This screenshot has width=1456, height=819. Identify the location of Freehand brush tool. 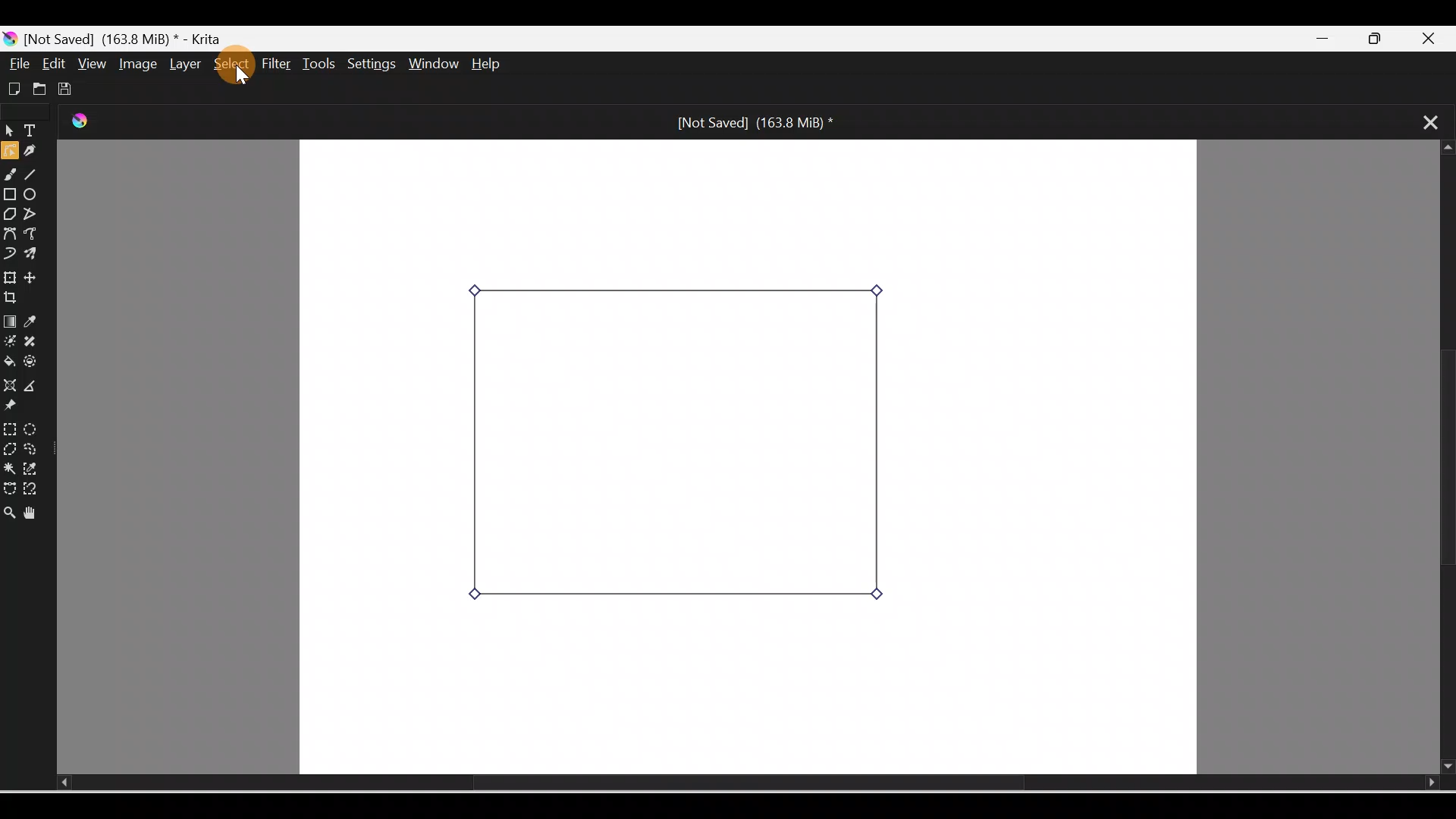
(12, 177).